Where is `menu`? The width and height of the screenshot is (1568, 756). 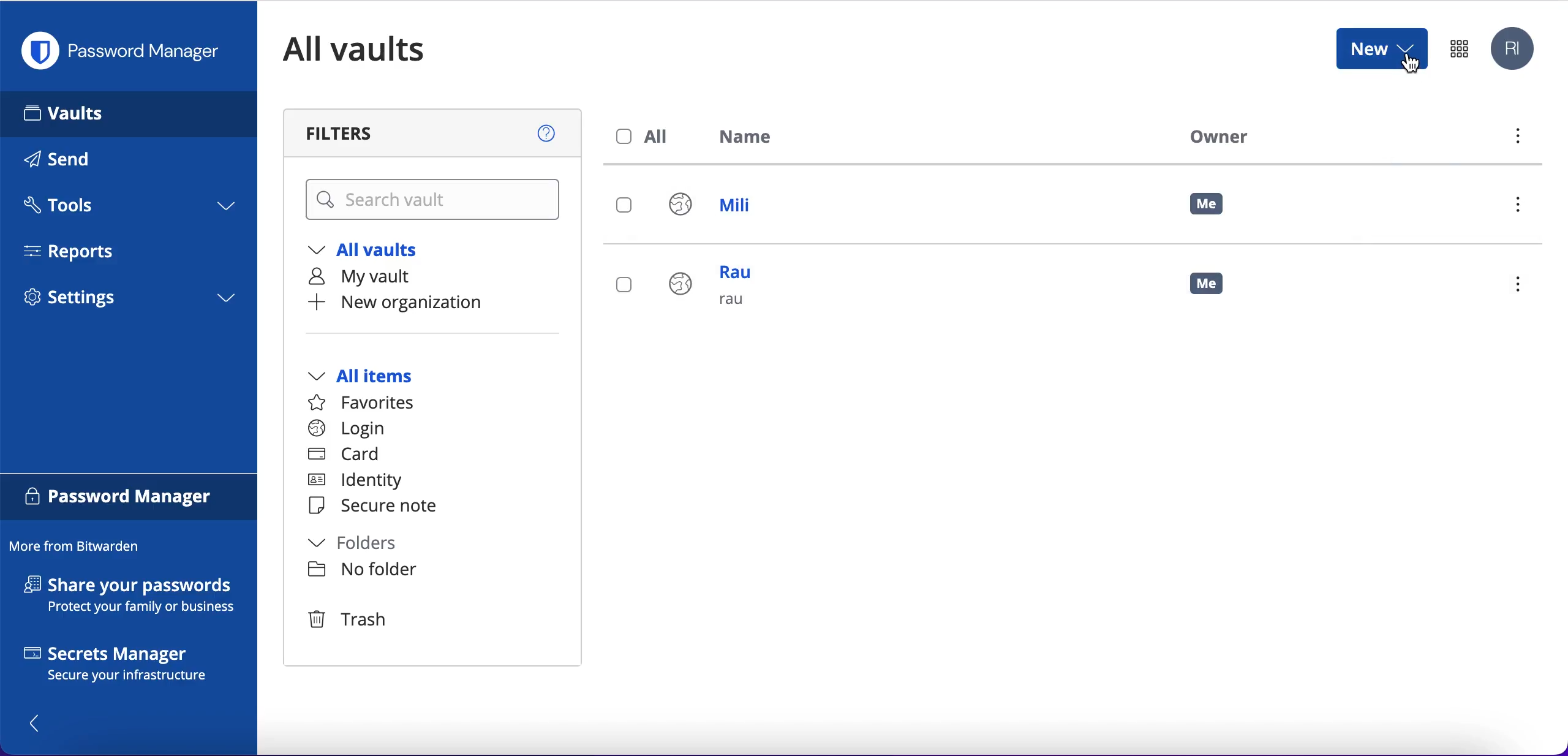
menu is located at coordinates (1523, 286).